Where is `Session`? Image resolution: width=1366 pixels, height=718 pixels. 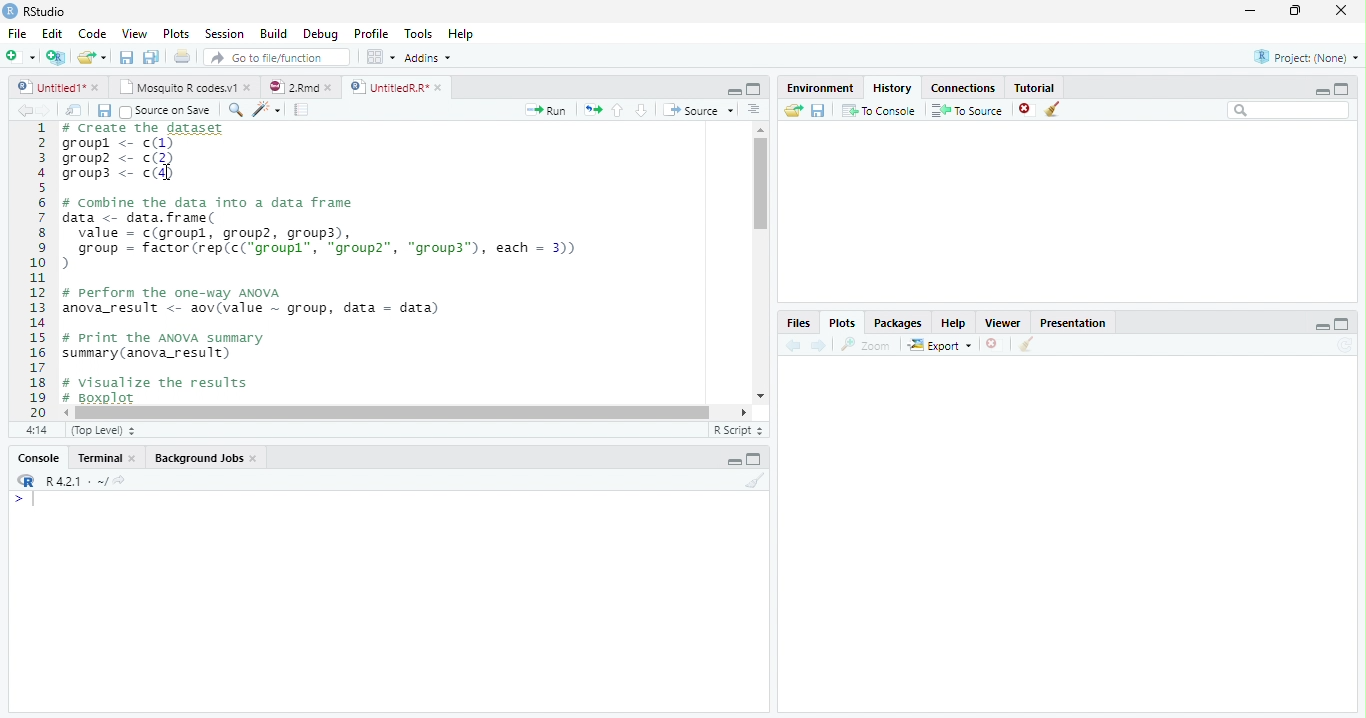 Session is located at coordinates (225, 34).